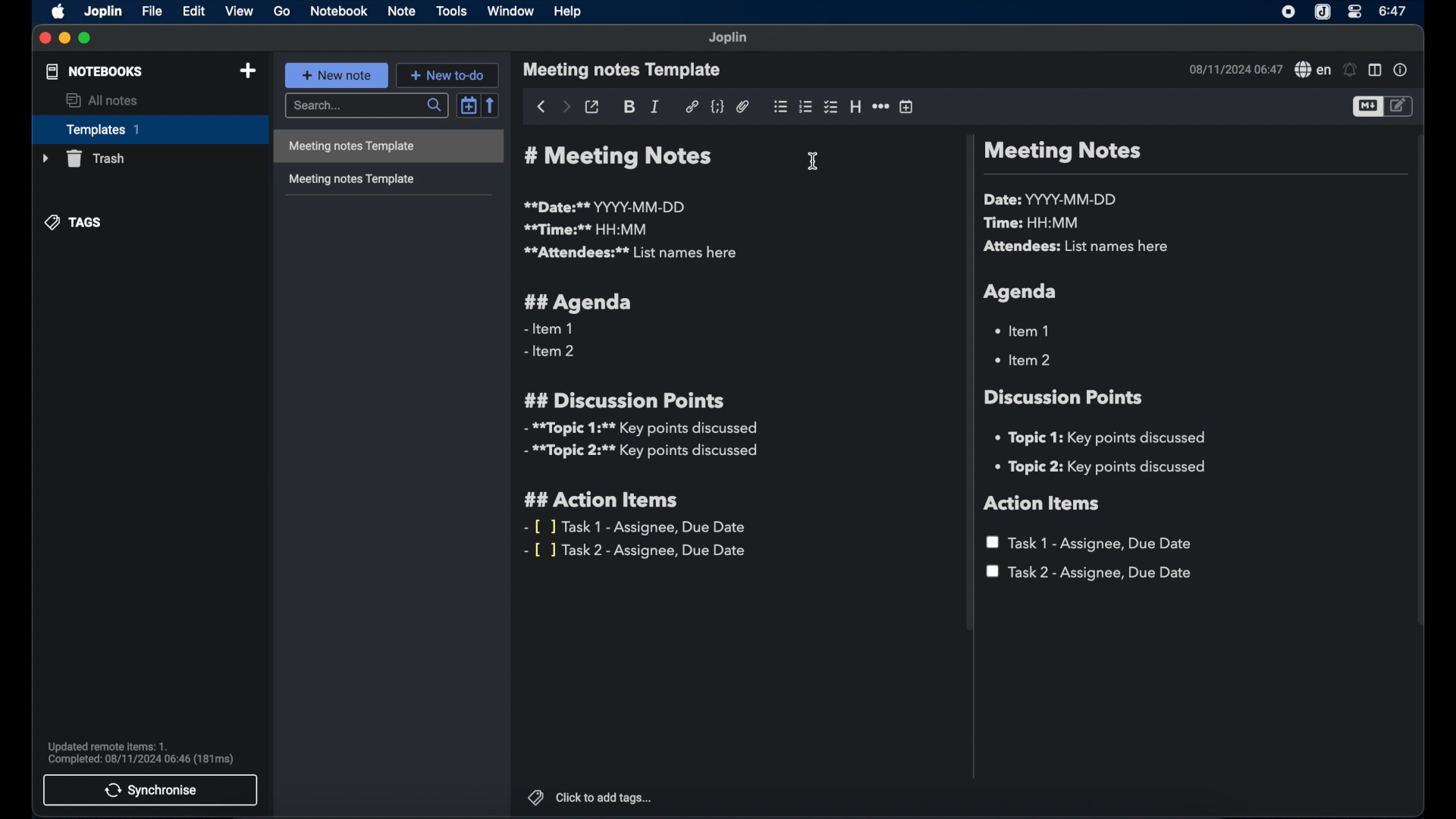 The height and width of the screenshot is (819, 1456). What do you see at coordinates (1021, 292) in the screenshot?
I see `agenda` at bounding box center [1021, 292].